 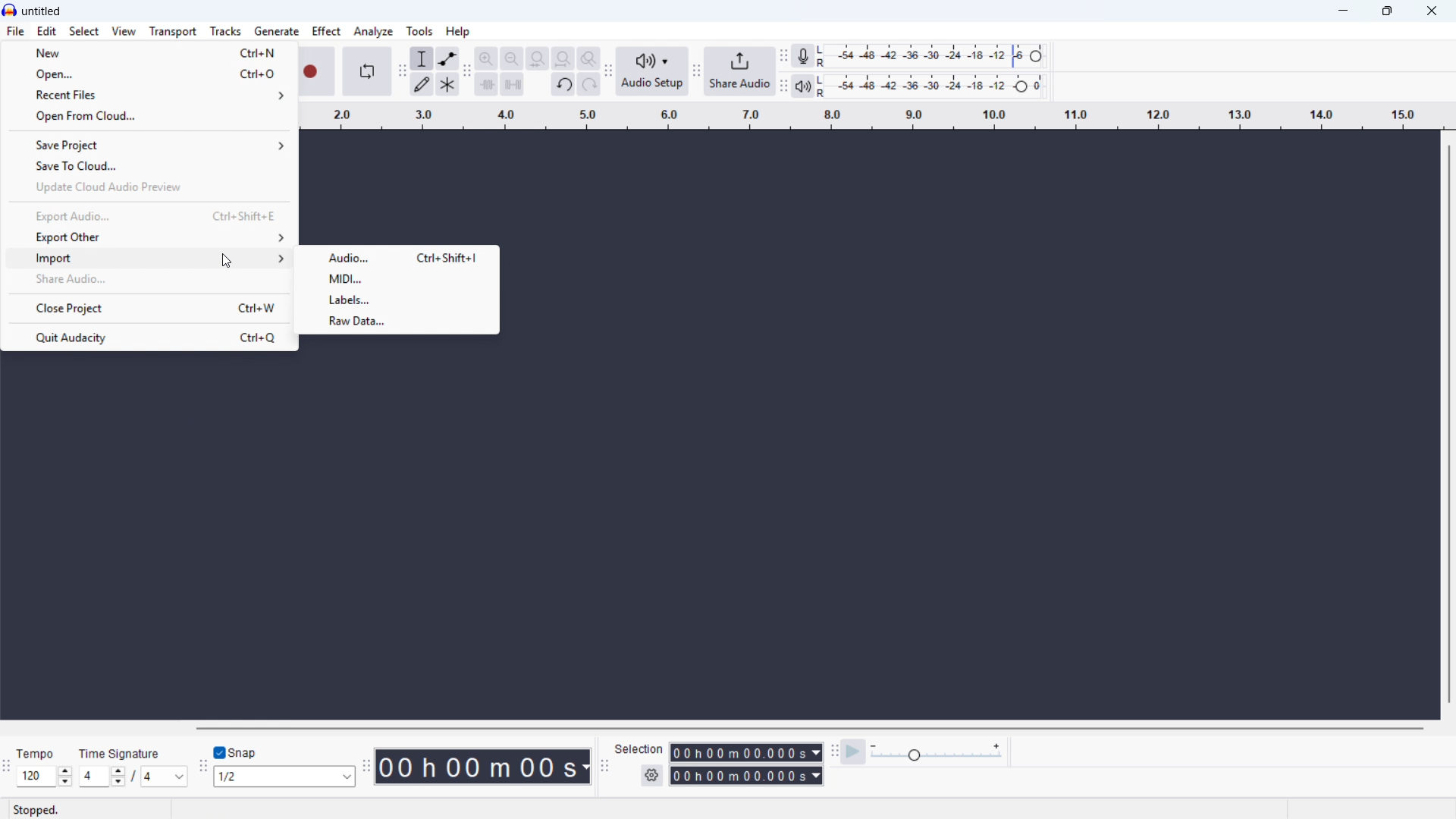 I want to click on new , so click(x=152, y=51).